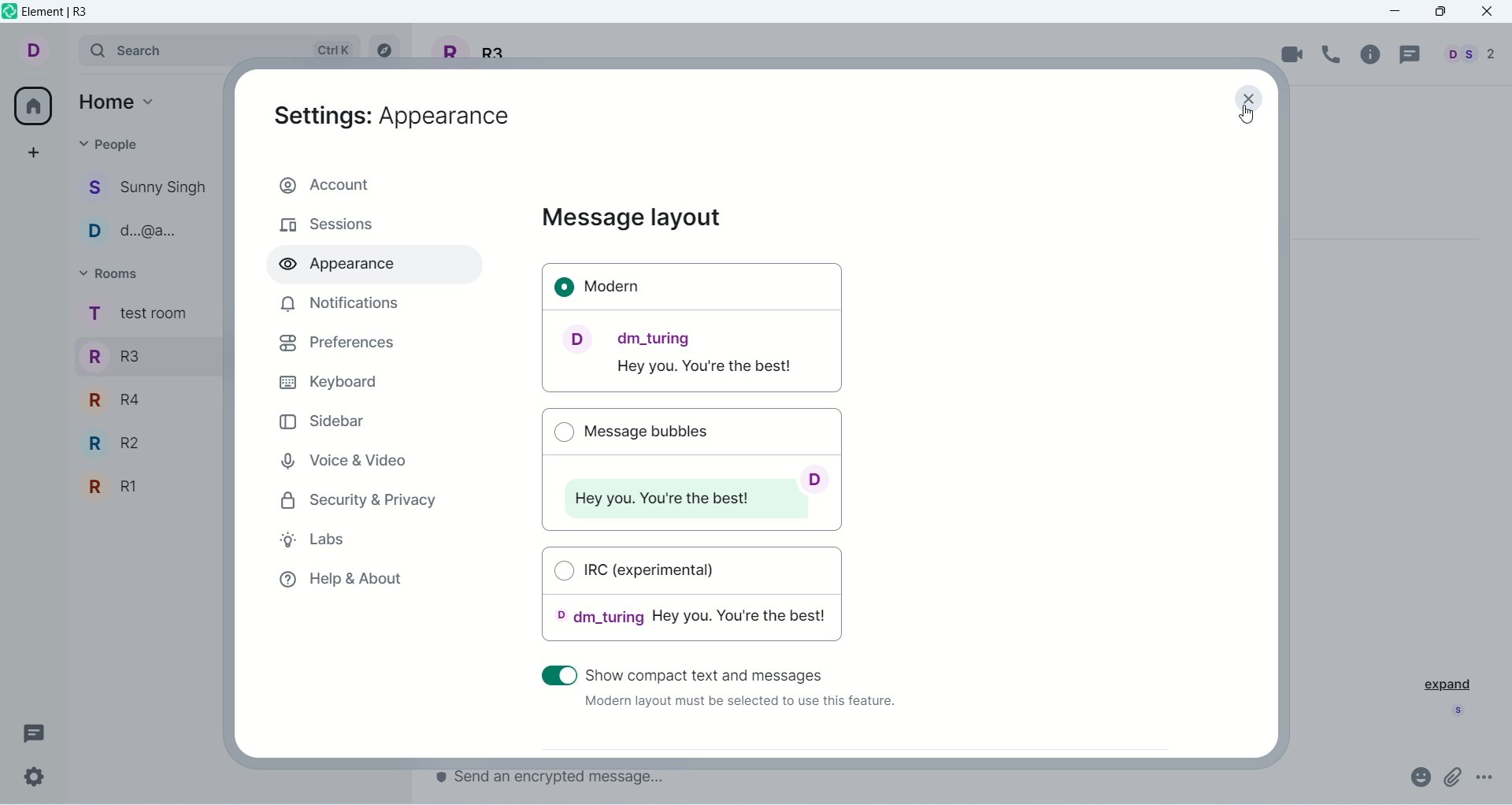 This screenshot has width=1512, height=805. What do you see at coordinates (1401, 12) in the screenshot?
I see `minimize` at bounding box center [1401, 12].